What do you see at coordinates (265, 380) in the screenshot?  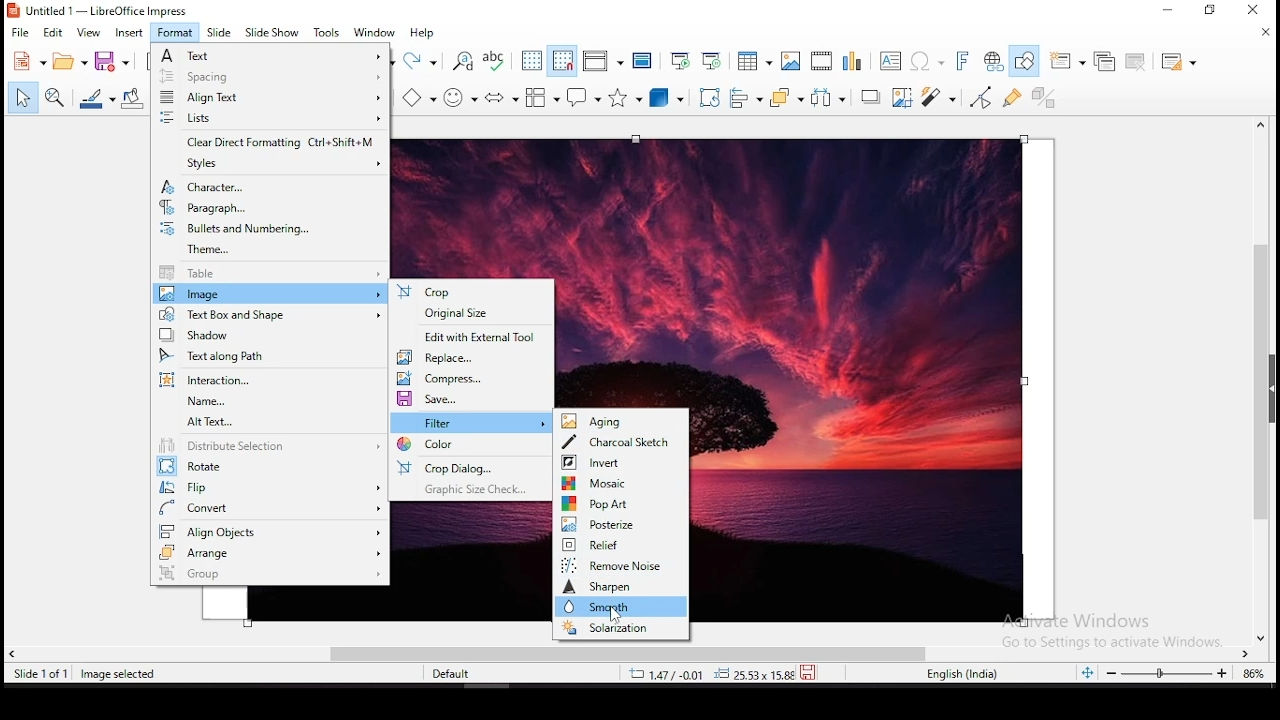 I see `interaction` at bounding box center [265, 380].